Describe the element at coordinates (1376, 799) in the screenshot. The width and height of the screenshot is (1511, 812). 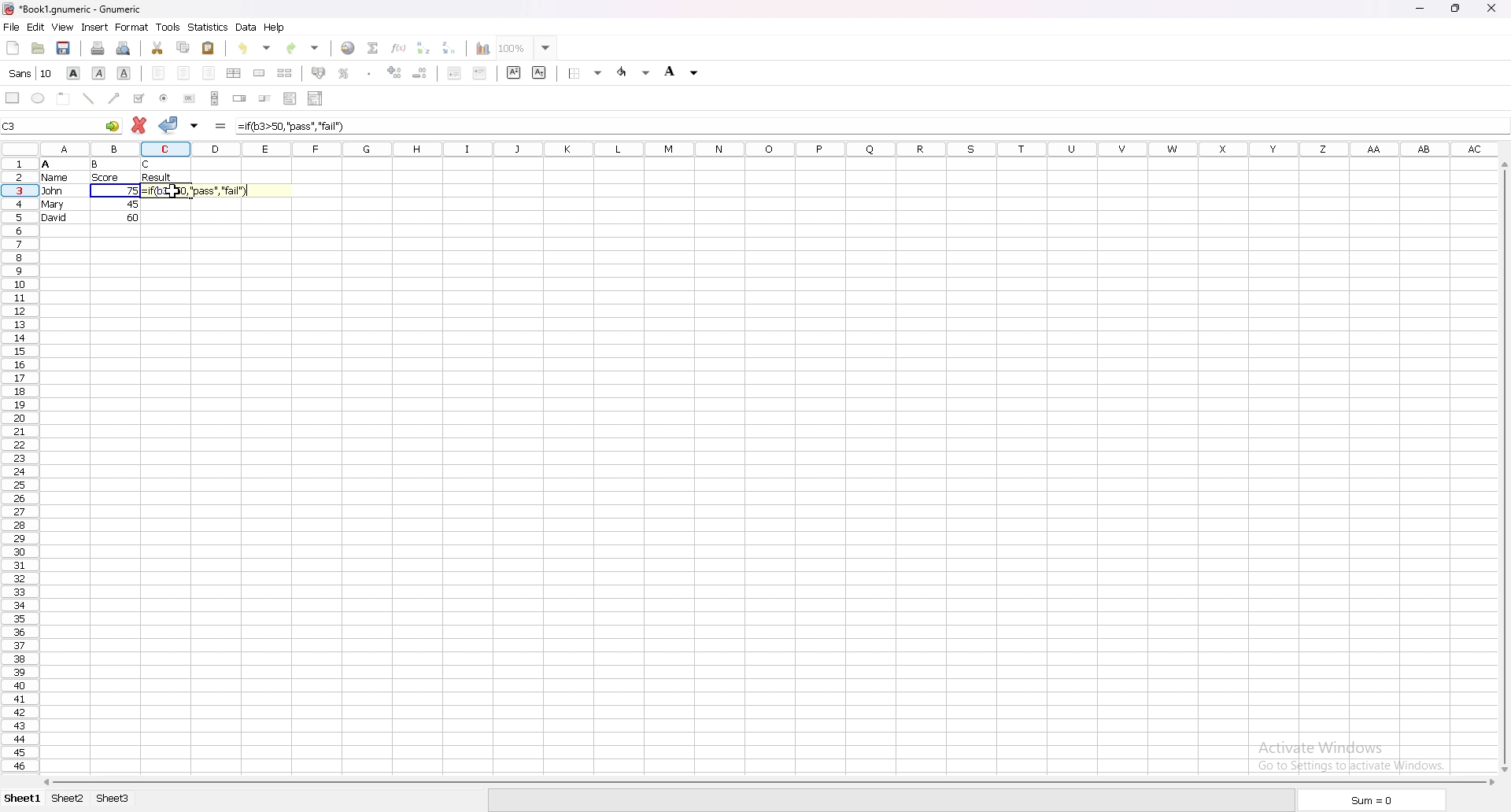
I see `sum` at that location.